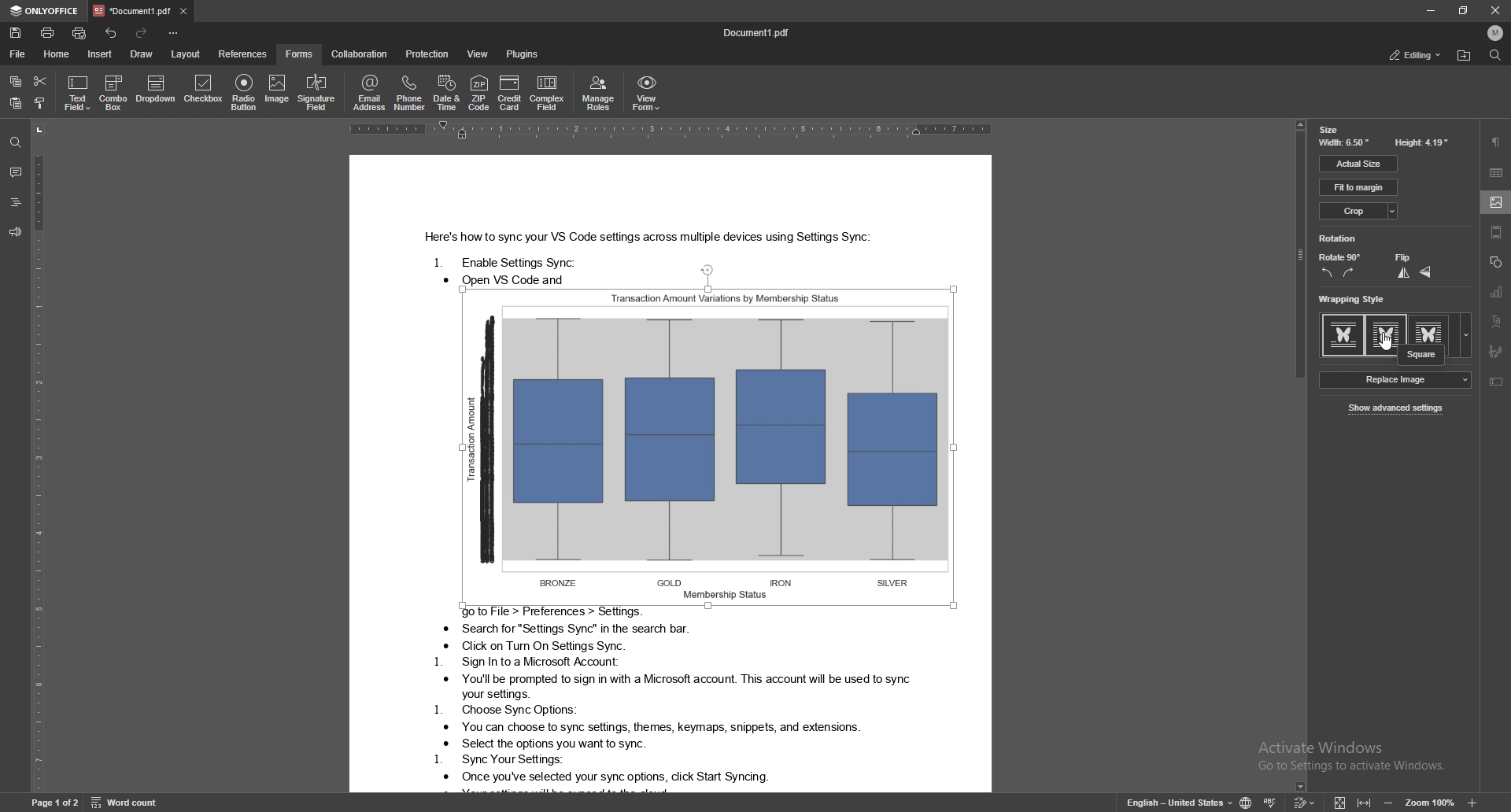  What do you see at coordinates (54, 801) in the screenshot?
I see `page` at bounding box center [54, 801].